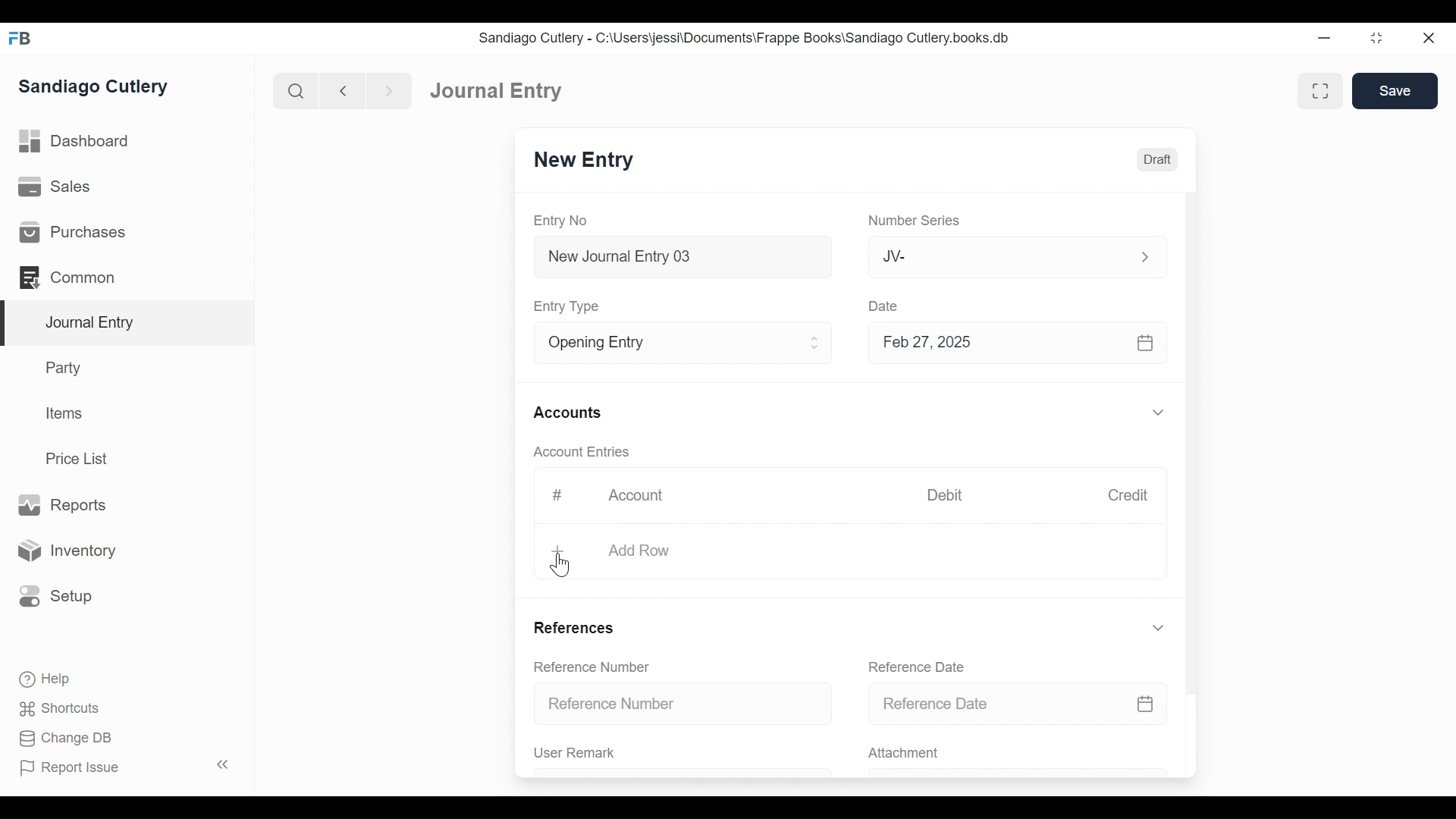  What do you see at coordinates (1130, 495) in the screenshot?
I see `Credit` at bounding box center [1130, 495].